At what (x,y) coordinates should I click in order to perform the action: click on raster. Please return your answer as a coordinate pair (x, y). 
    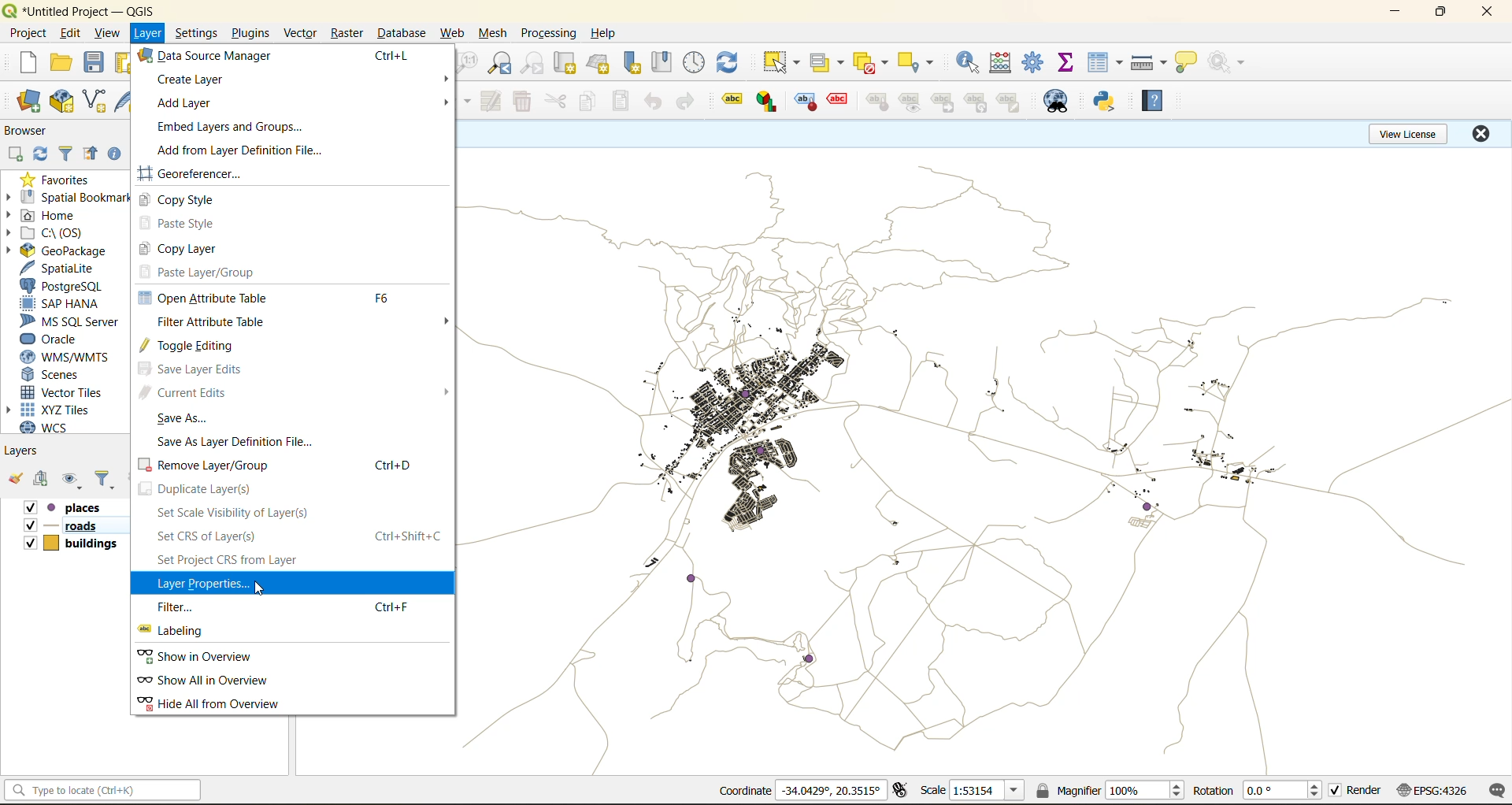
    Looking at the image, I should click on (347, 34).